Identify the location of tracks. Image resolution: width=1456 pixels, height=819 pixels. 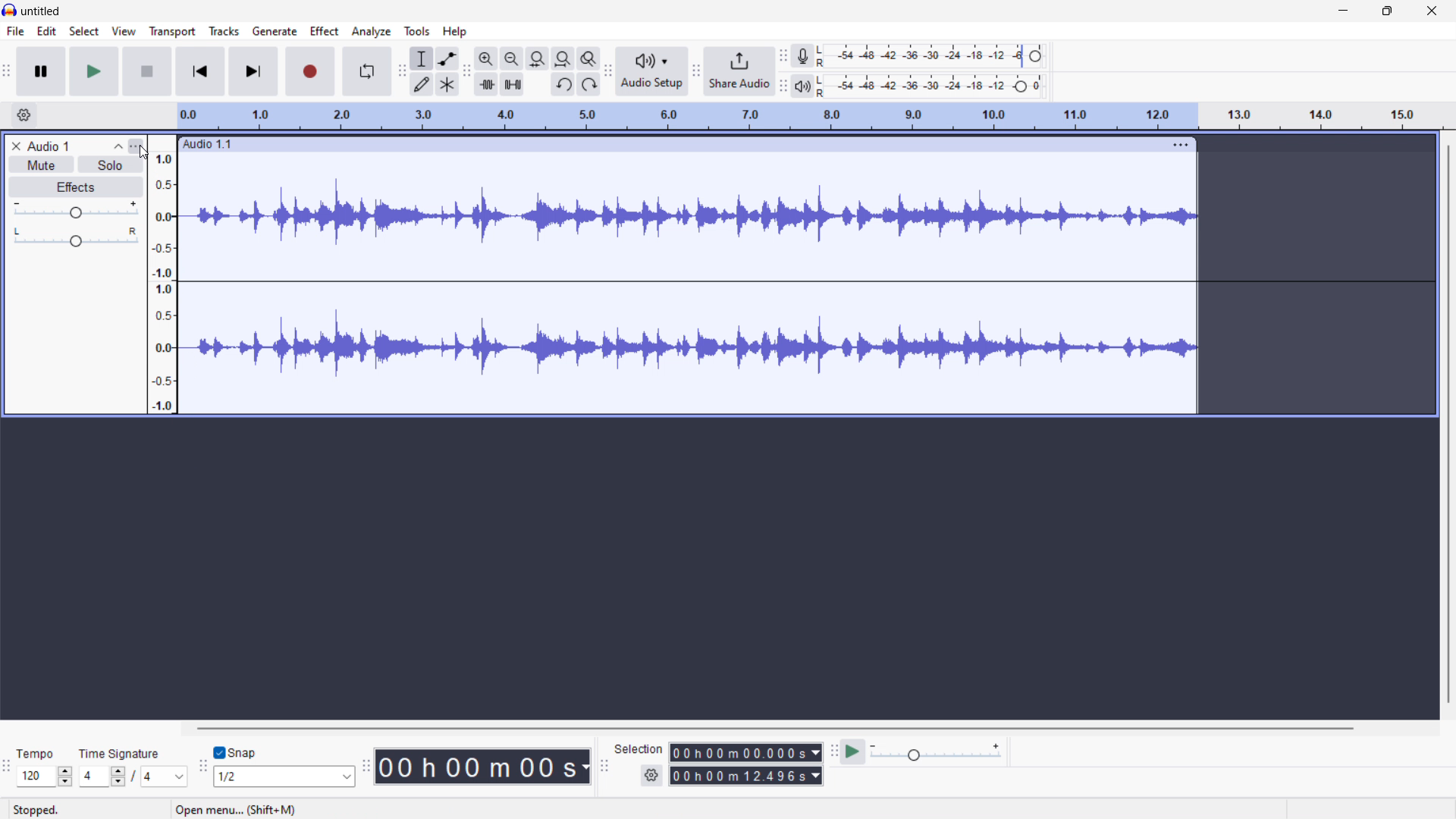
(224, 31).